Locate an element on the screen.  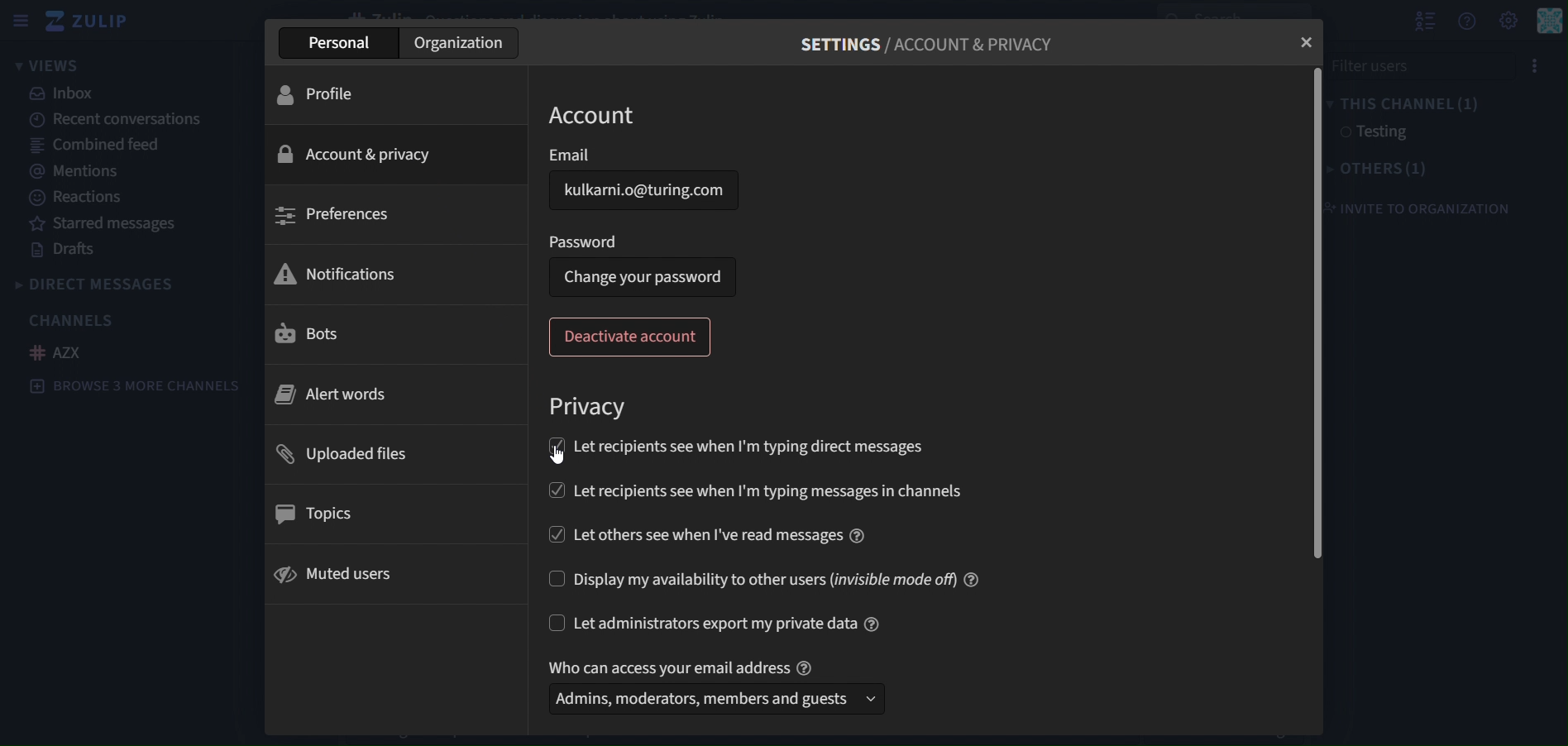
personal is located at coordinates (339, 42).